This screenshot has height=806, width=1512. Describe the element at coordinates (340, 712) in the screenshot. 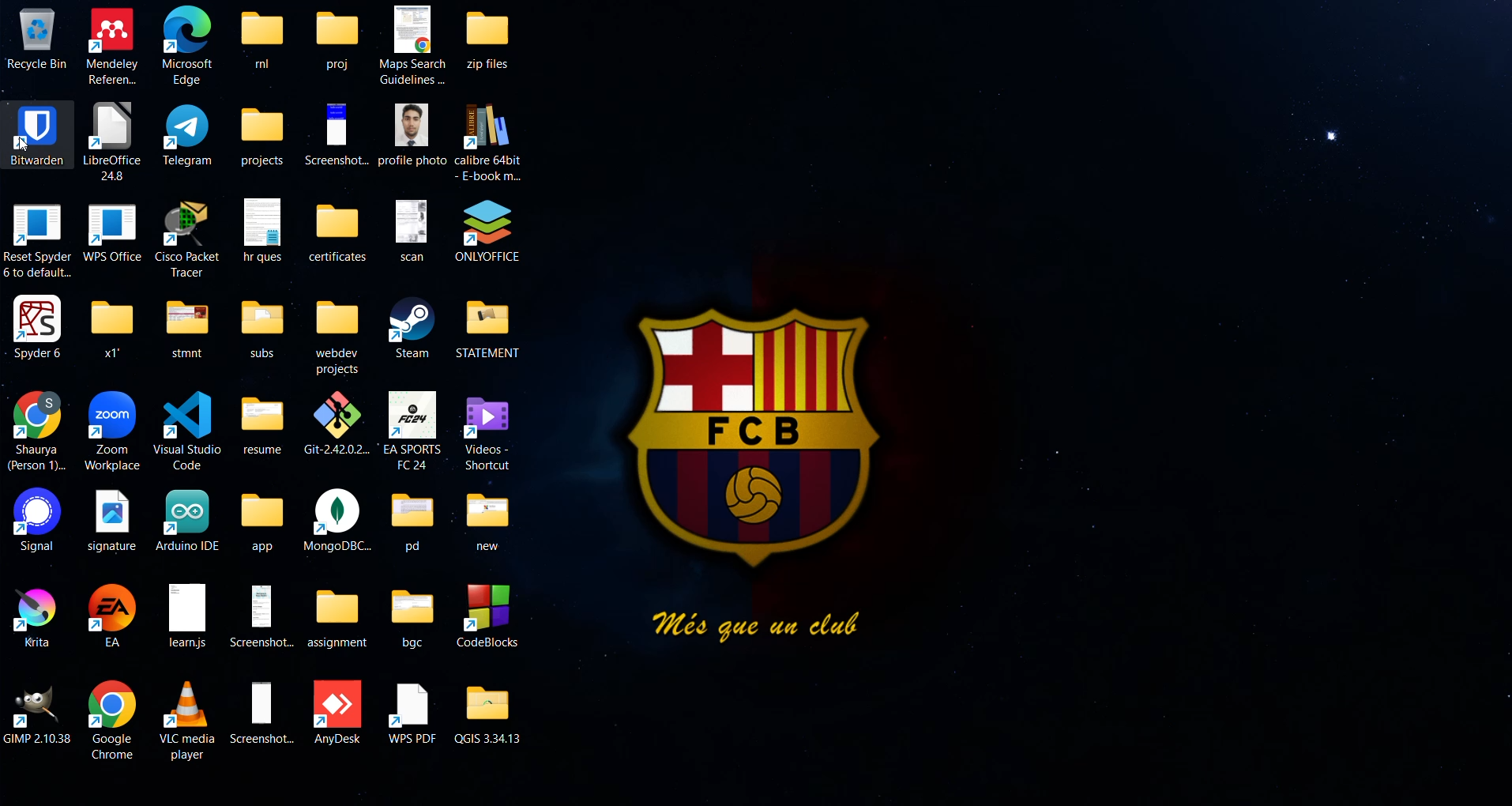

I see `AnyDesk` at that location.